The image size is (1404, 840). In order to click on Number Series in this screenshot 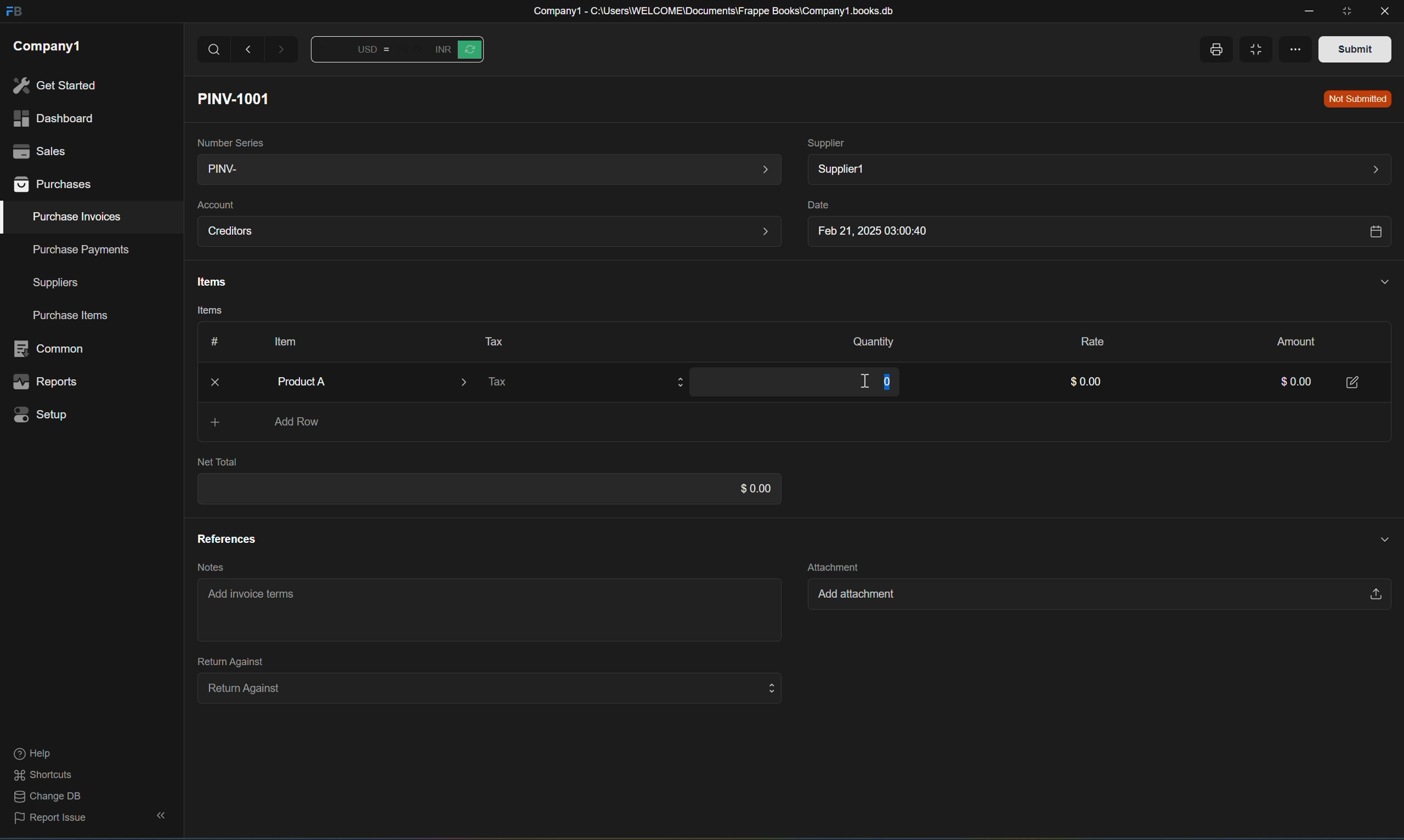, I will do `click(228, 140)`.